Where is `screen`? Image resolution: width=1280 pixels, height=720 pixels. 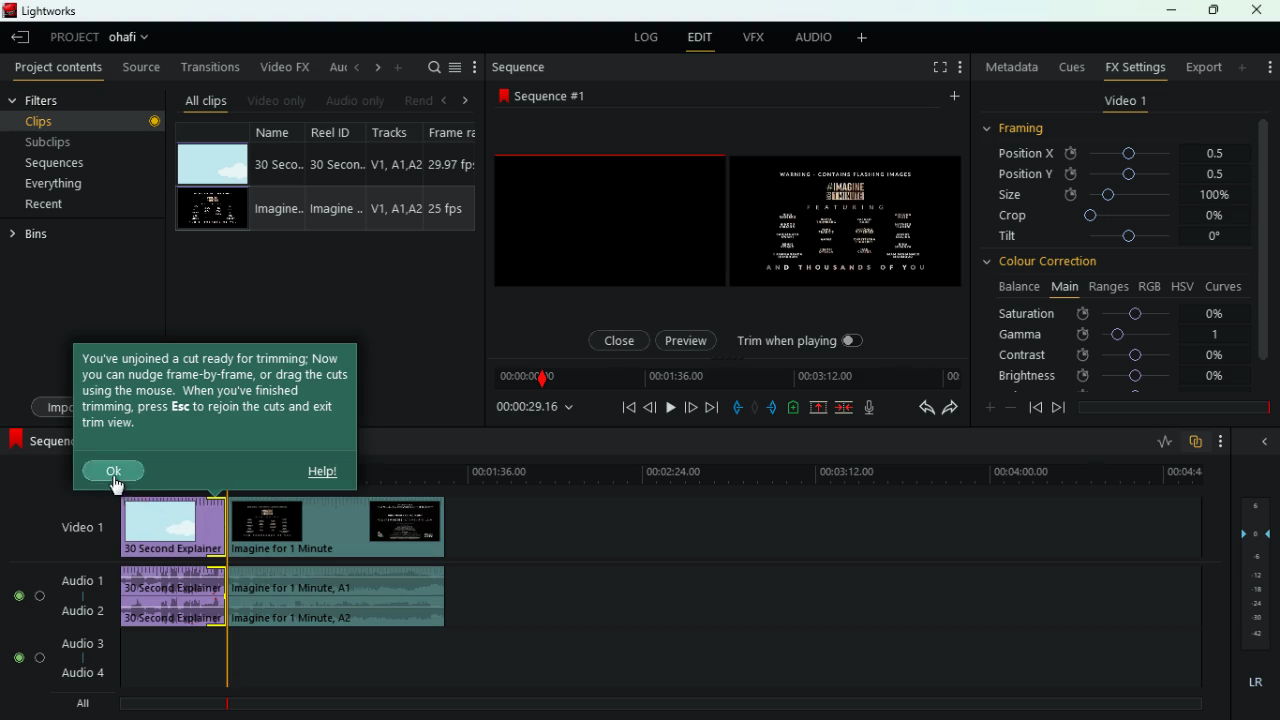 screen is located at coordinates (727, 221).